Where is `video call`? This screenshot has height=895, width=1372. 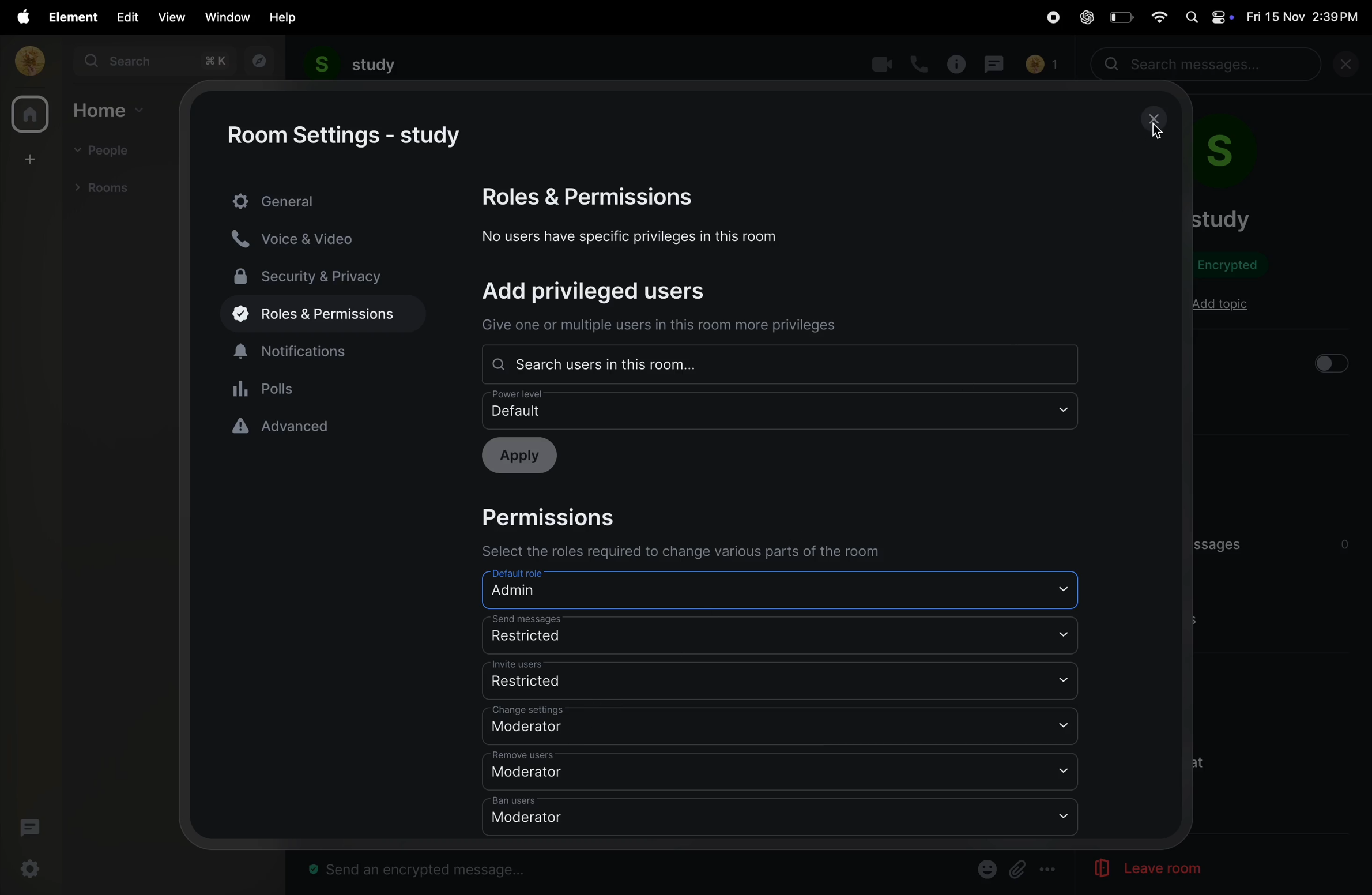 video call is located at coordinates (879, 64).